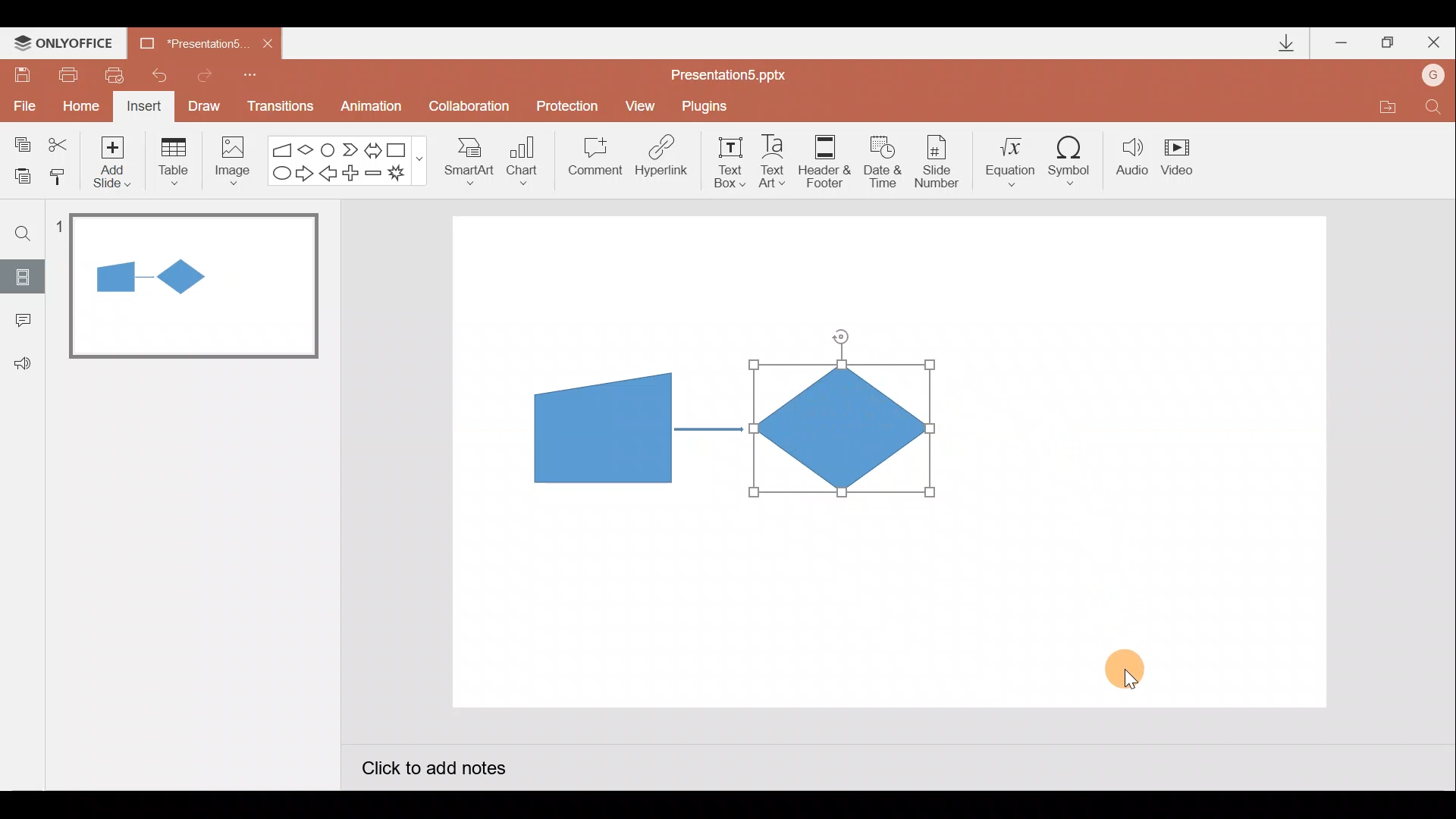 This screenshot has width=1456, height=819. What do you see at coordinates (21, 72) in the screenshot?
I see `Save` at bounding box center [21, 72].